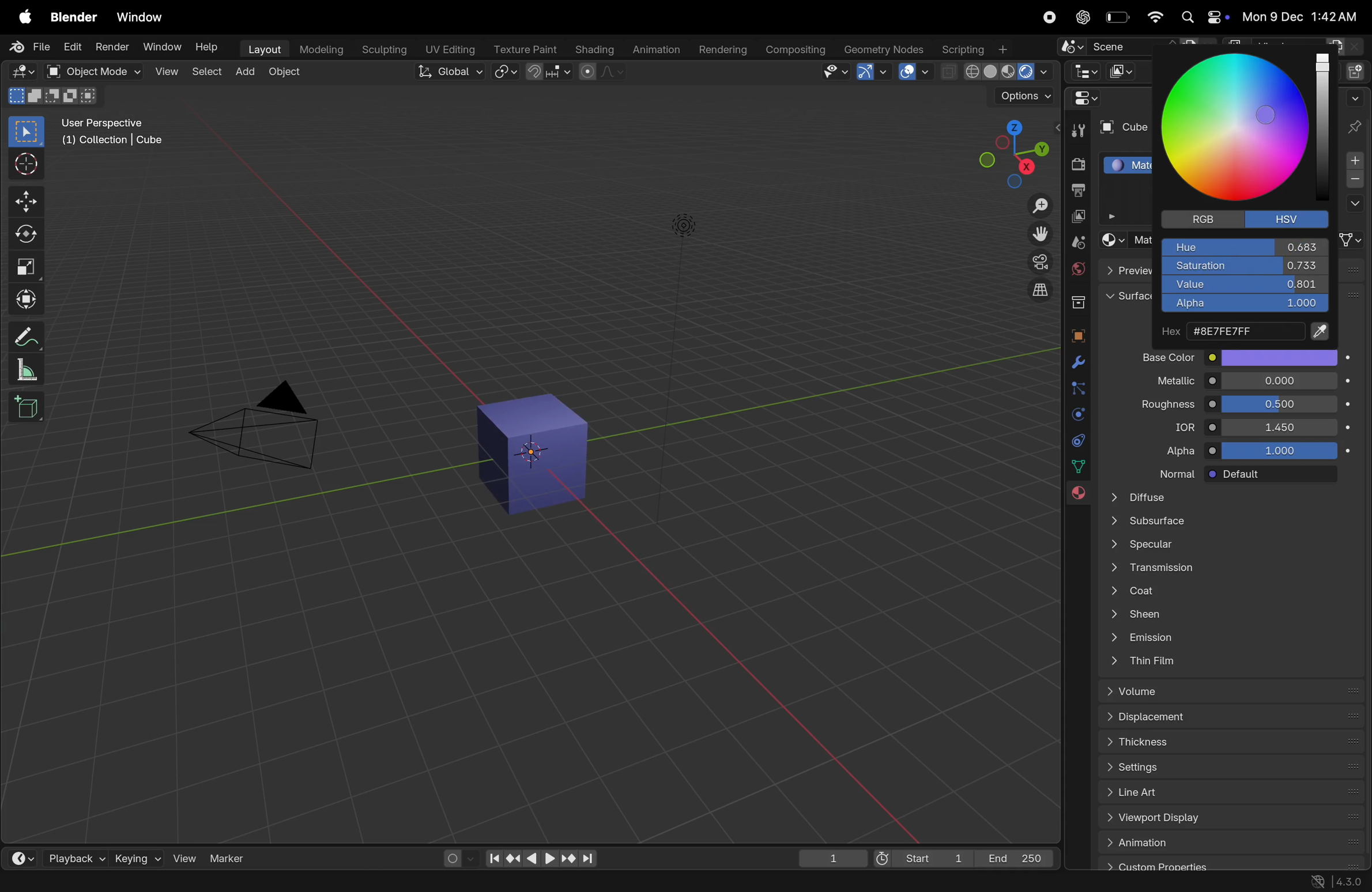 The height and width of the screenshot is (892, 1372). What do you see at coordinates (1111, 240) in the screenshot?
I see `browse material` at bounding box center [1111, 240].